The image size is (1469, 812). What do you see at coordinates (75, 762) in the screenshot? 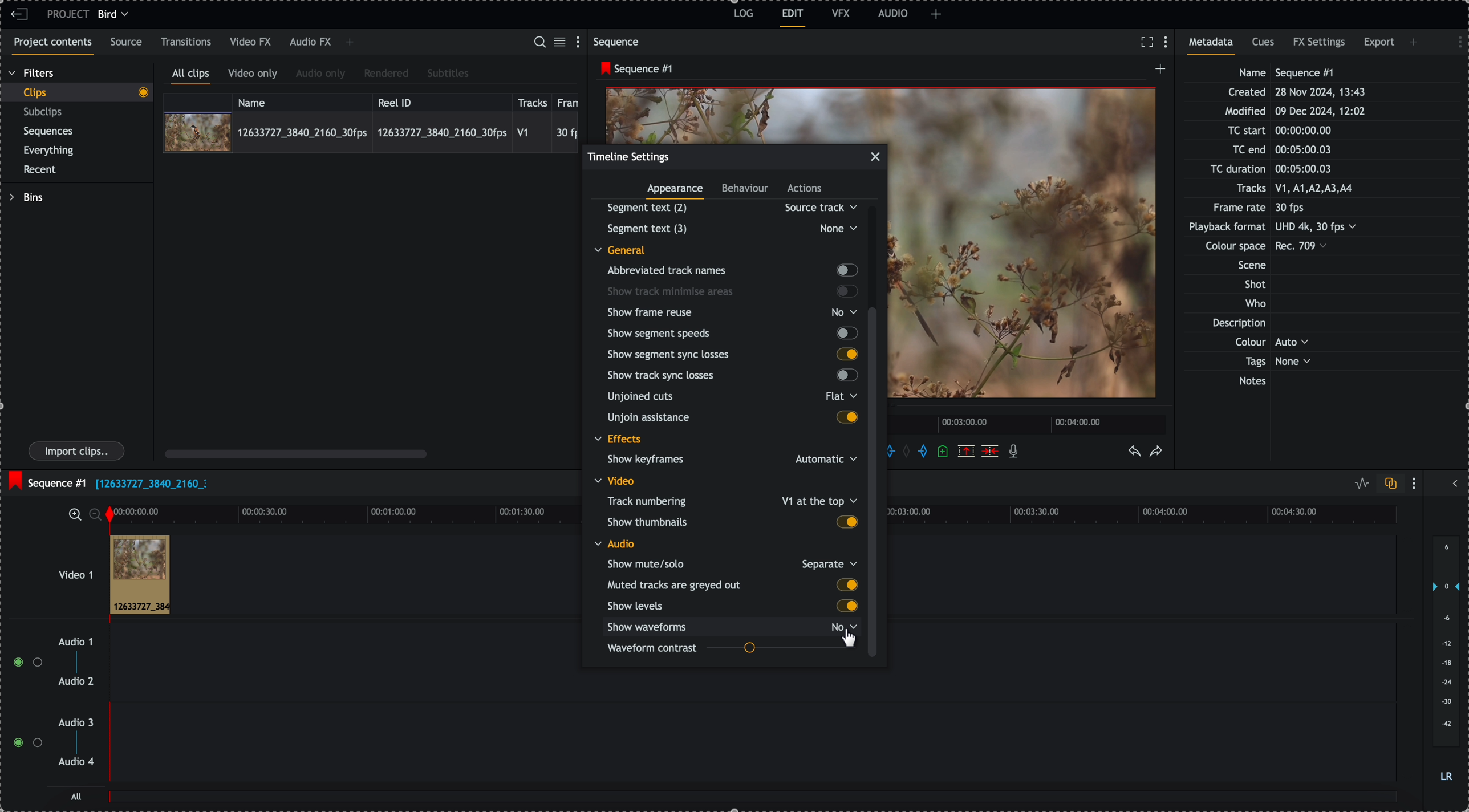
I see `audio 4` at bounding box center [75, 762].